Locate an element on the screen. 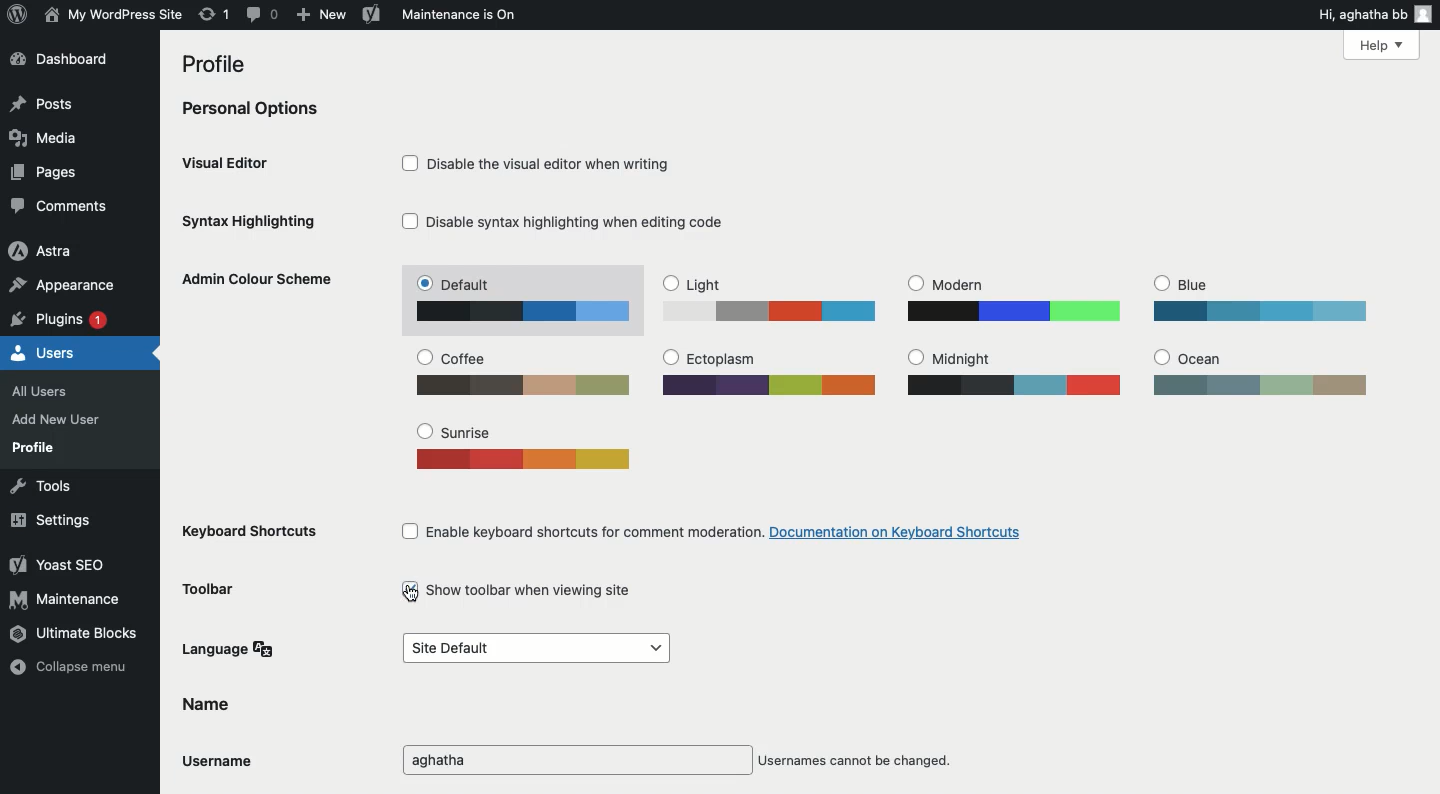  Comments is located at coordinates (61, 204).